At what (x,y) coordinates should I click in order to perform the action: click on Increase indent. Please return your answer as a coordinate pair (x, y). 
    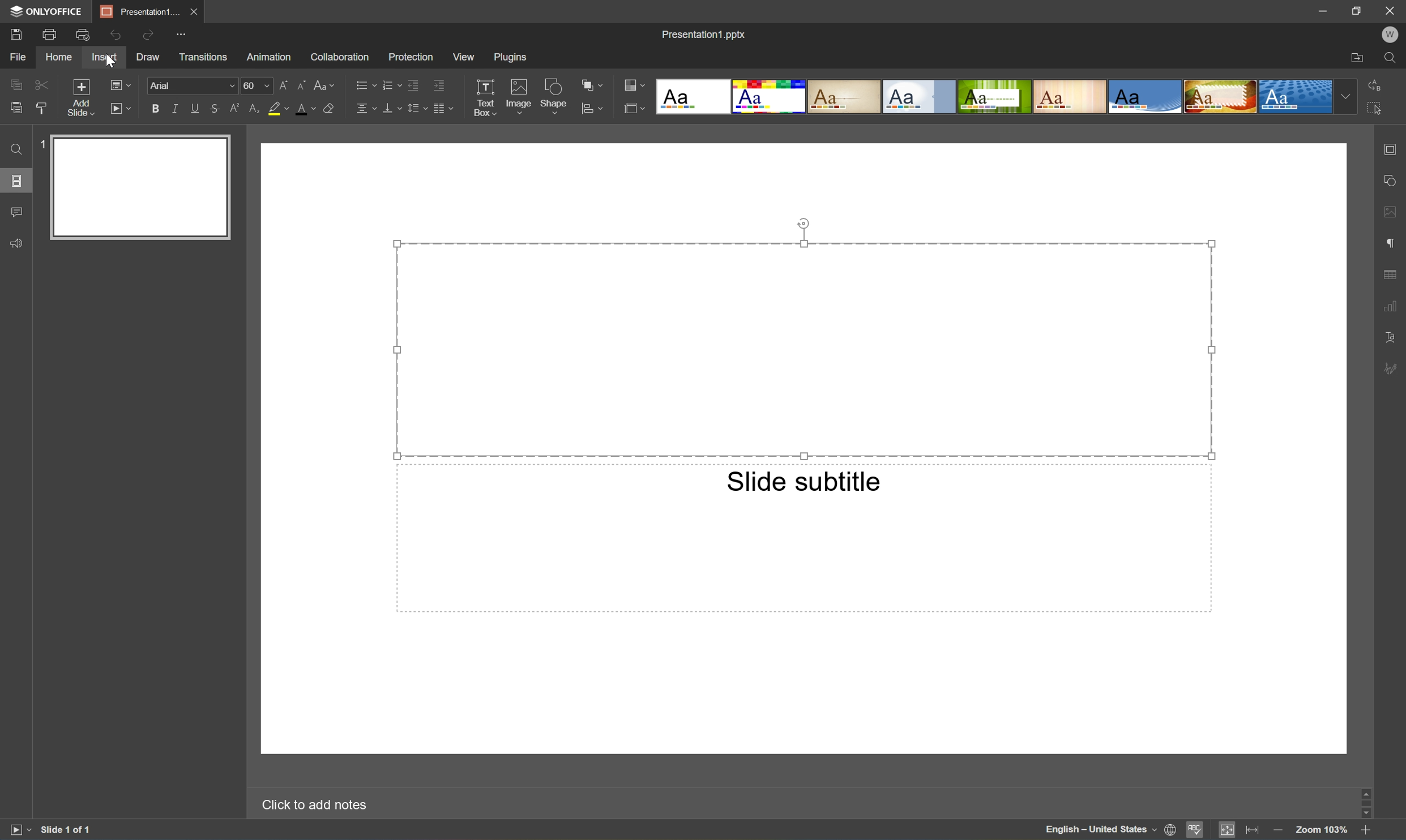
    Looking at the image, I should click on (437, 85).